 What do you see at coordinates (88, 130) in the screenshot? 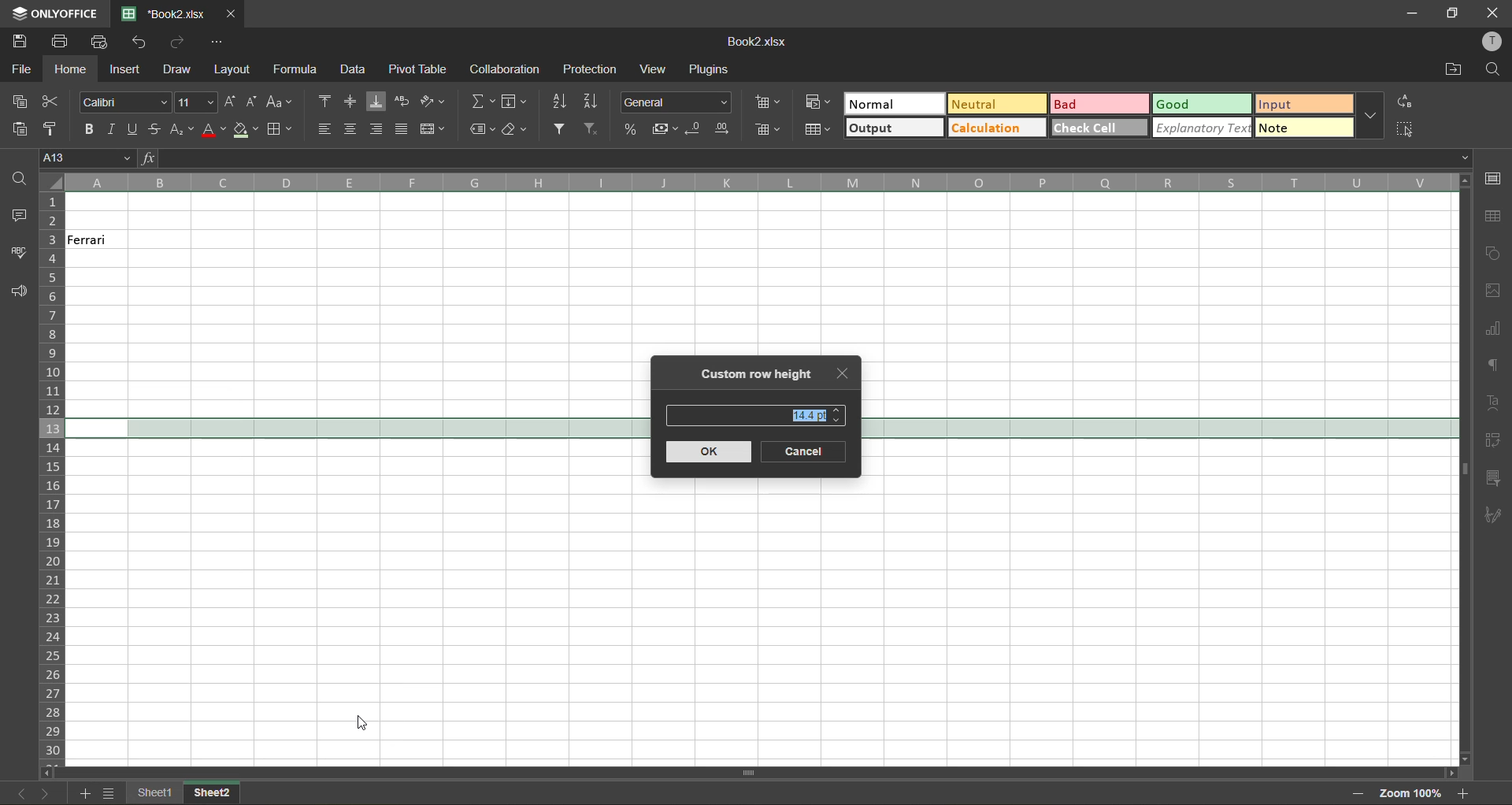
I see `bold` at bounding box center [88, 130].